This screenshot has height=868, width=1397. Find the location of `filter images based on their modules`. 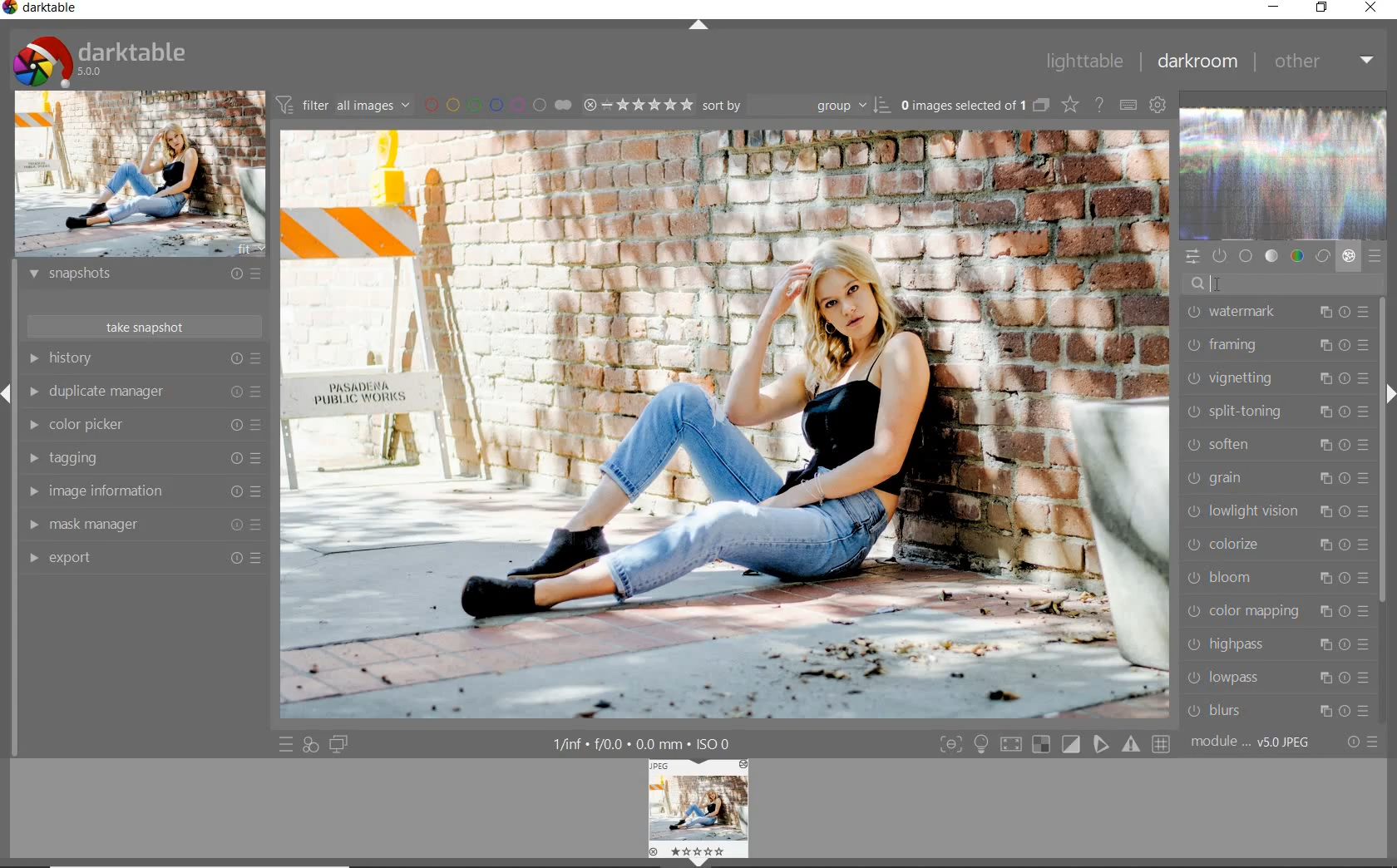

filter images based on their modules is located at coordinates (346, 106).